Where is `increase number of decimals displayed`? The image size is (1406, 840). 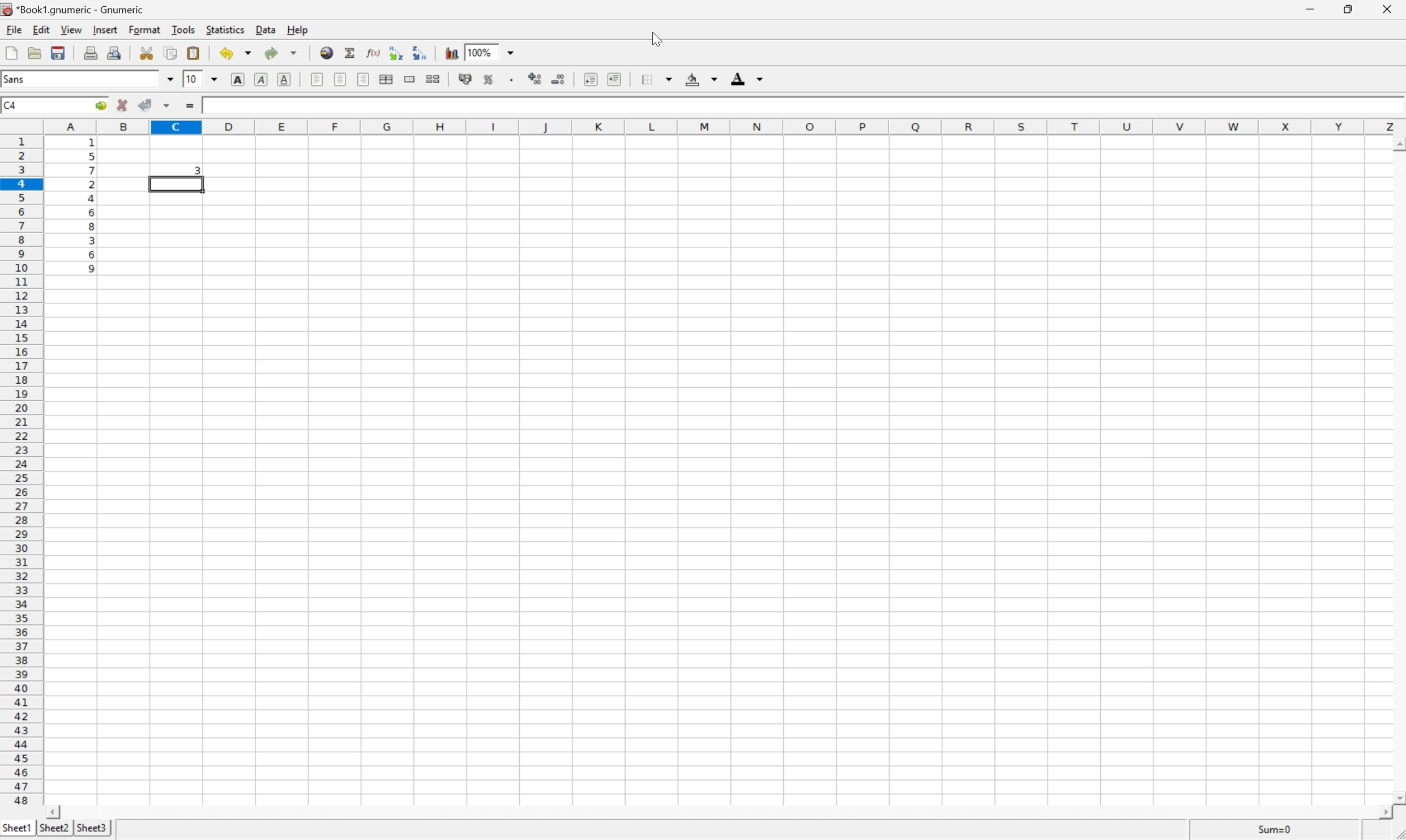 increase number of decimals displayed is located at coordinates (533, 80).